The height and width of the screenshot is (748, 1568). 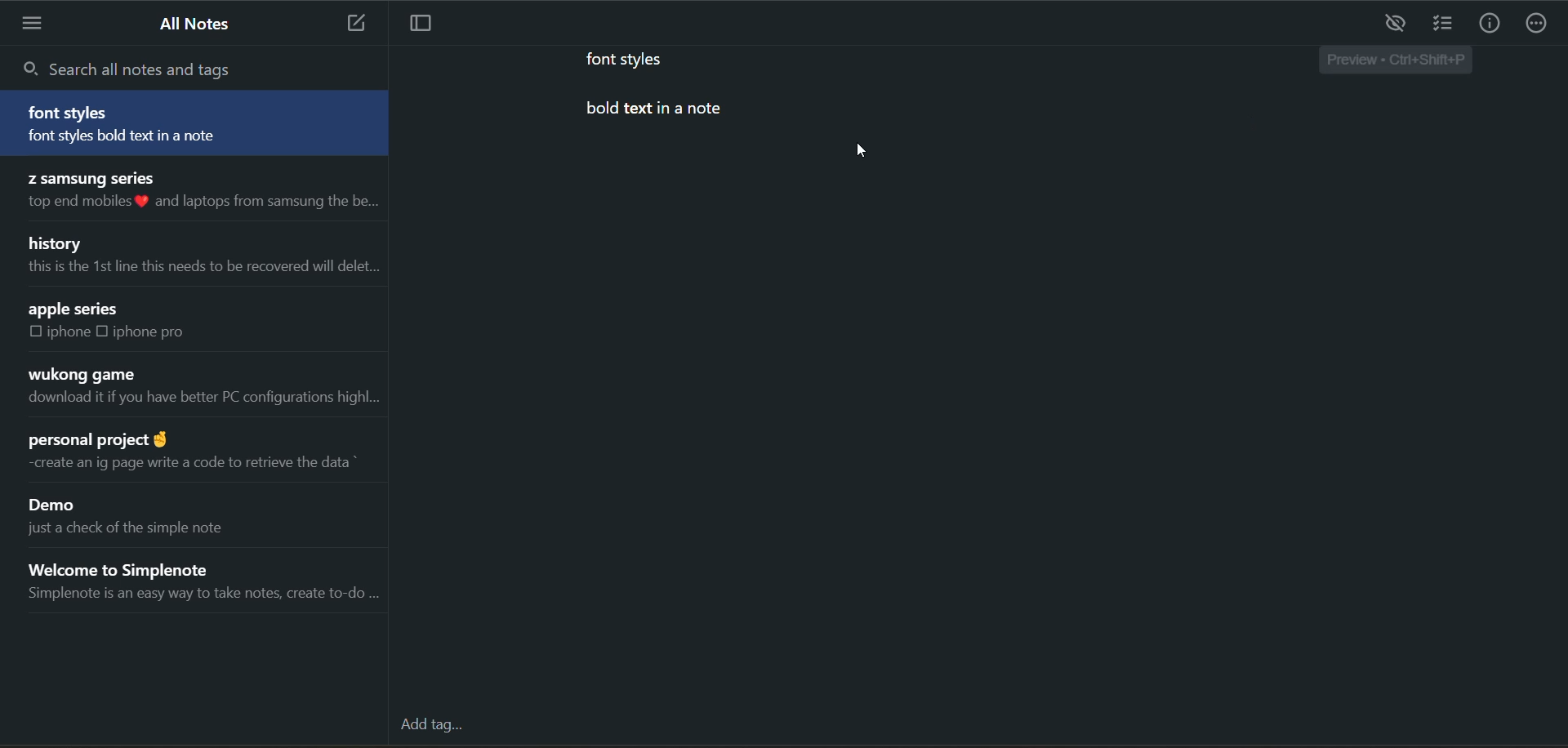 What do you see at coordinates (80, 375) in the screenshot?
I see `wukong game` at bounding box center [80, 375].